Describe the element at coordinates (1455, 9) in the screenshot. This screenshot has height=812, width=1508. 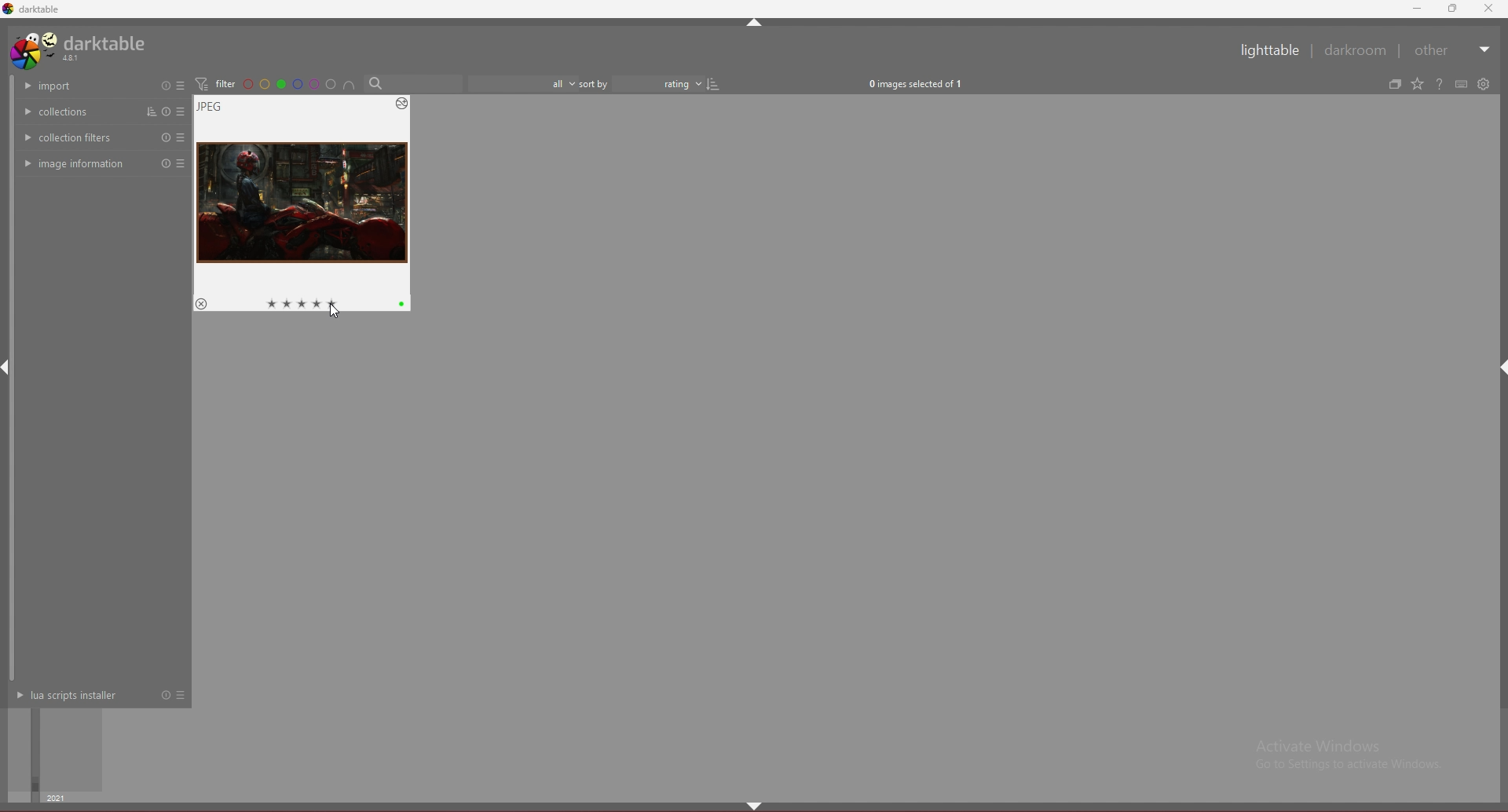
I see `resize` at that location.